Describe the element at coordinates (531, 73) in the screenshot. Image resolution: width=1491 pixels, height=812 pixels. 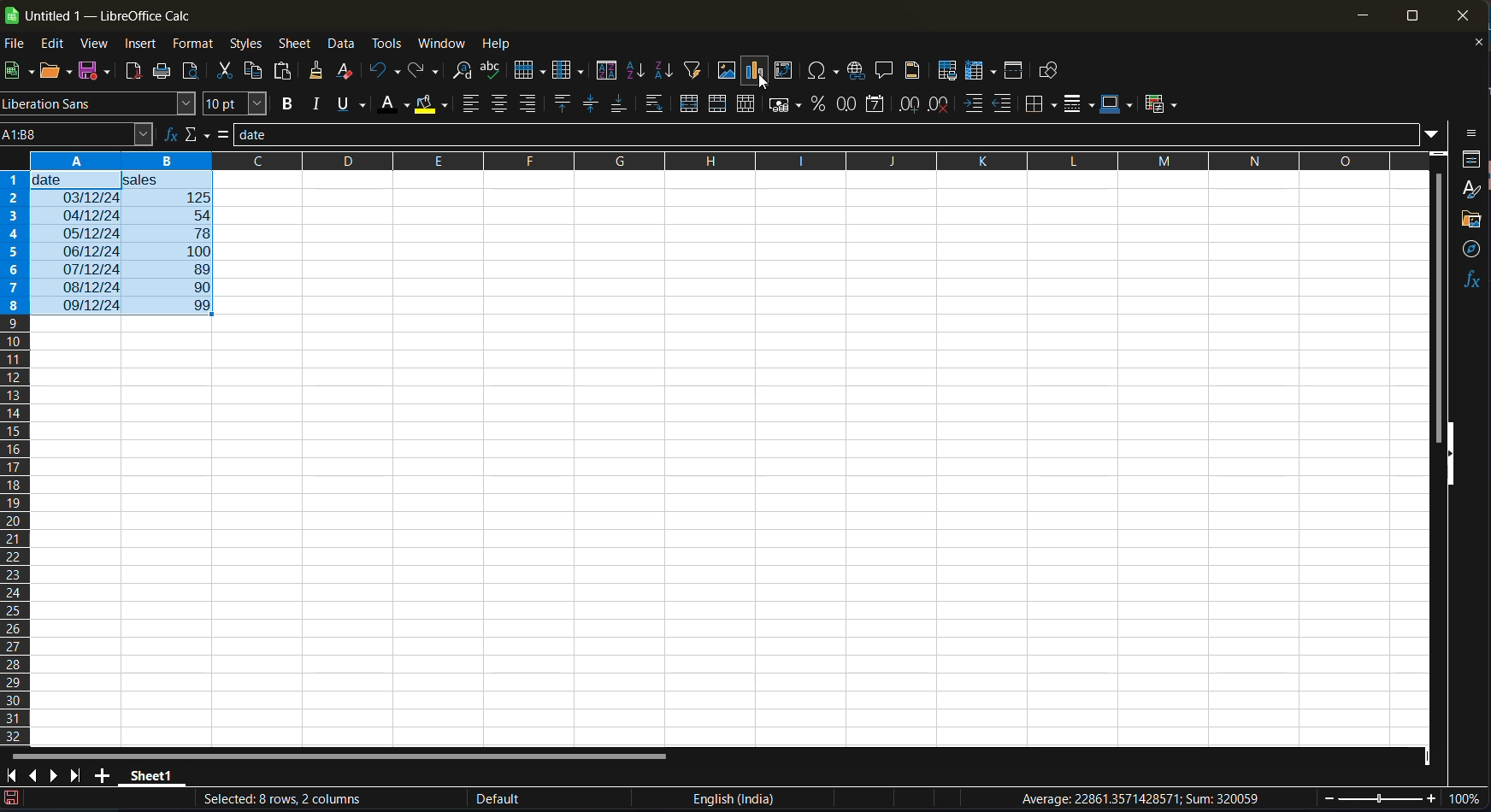
I see `row` at that location.